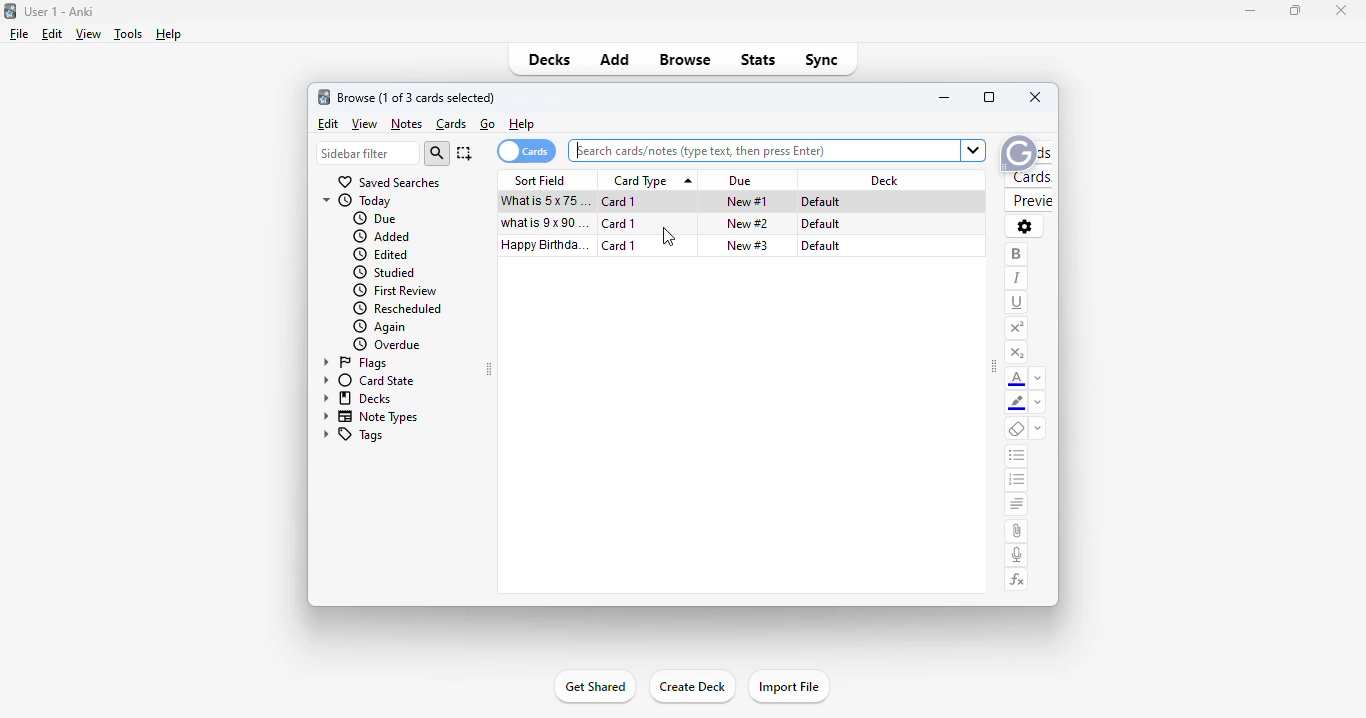 This screenshot has width=1366, height=718. Describe the element at coordinates (544, 222) in the screenshot. I see `what is 9x90=?` at that location.